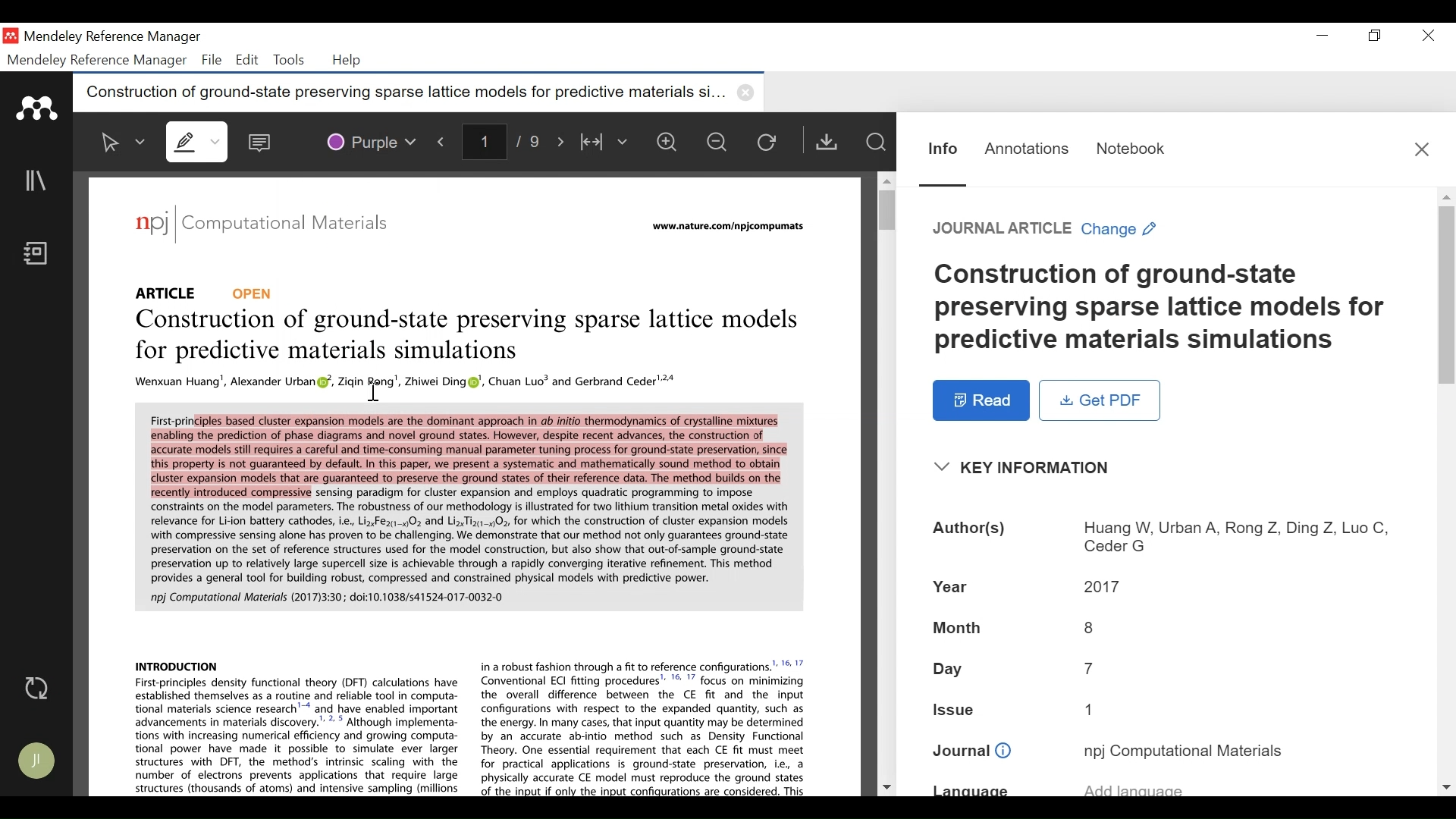  What do you see at coordinates (288, 61) in the screenshot?
I see `Tools` at bounding box center [288, 61].